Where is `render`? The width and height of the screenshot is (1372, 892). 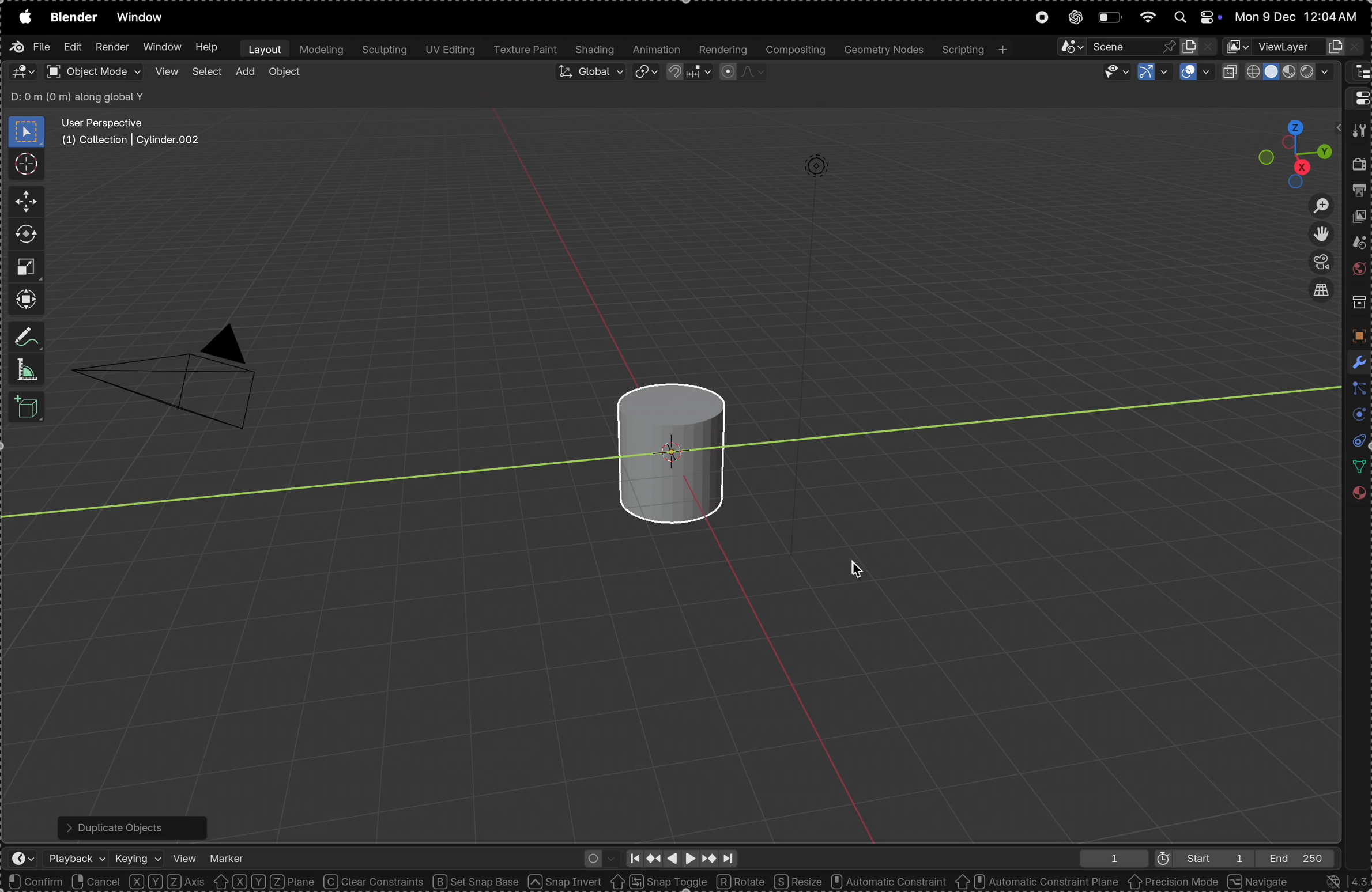
render is located at coordinates (1359, 167).